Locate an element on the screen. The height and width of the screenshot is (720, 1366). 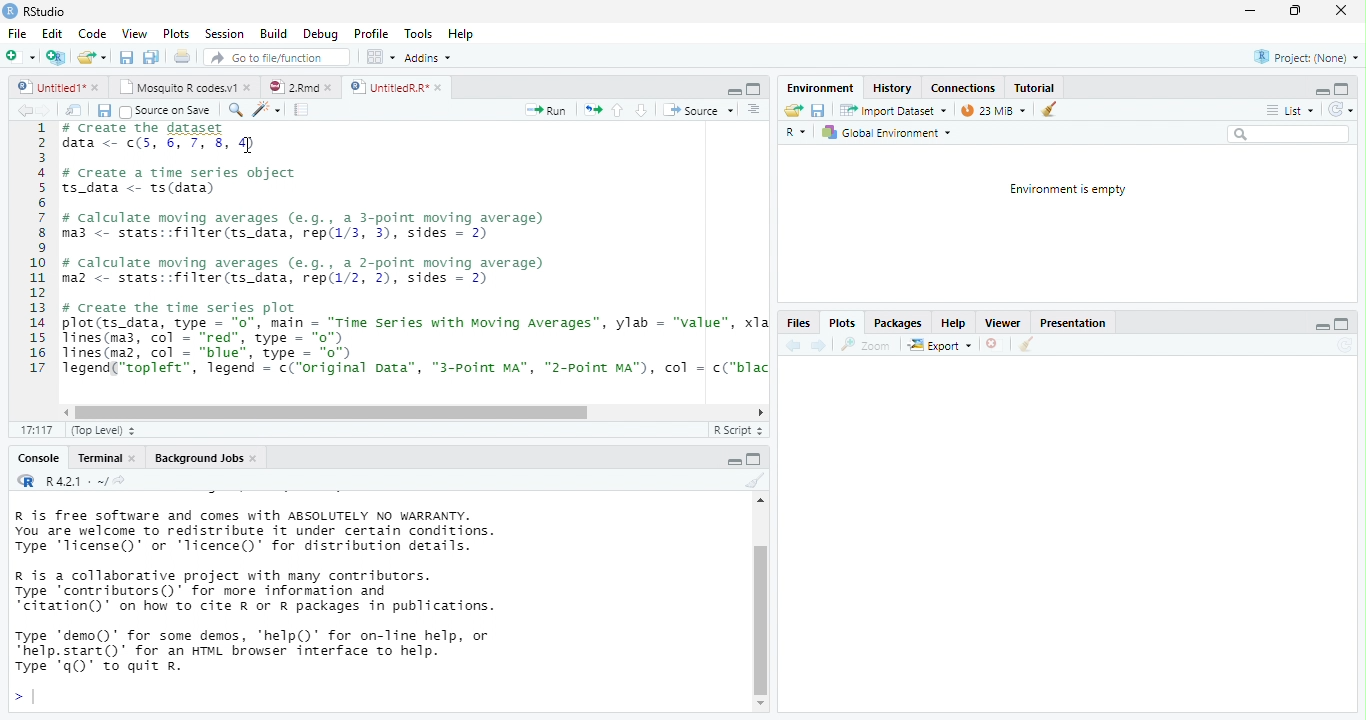
Addins is located at coordinates (428, 58).